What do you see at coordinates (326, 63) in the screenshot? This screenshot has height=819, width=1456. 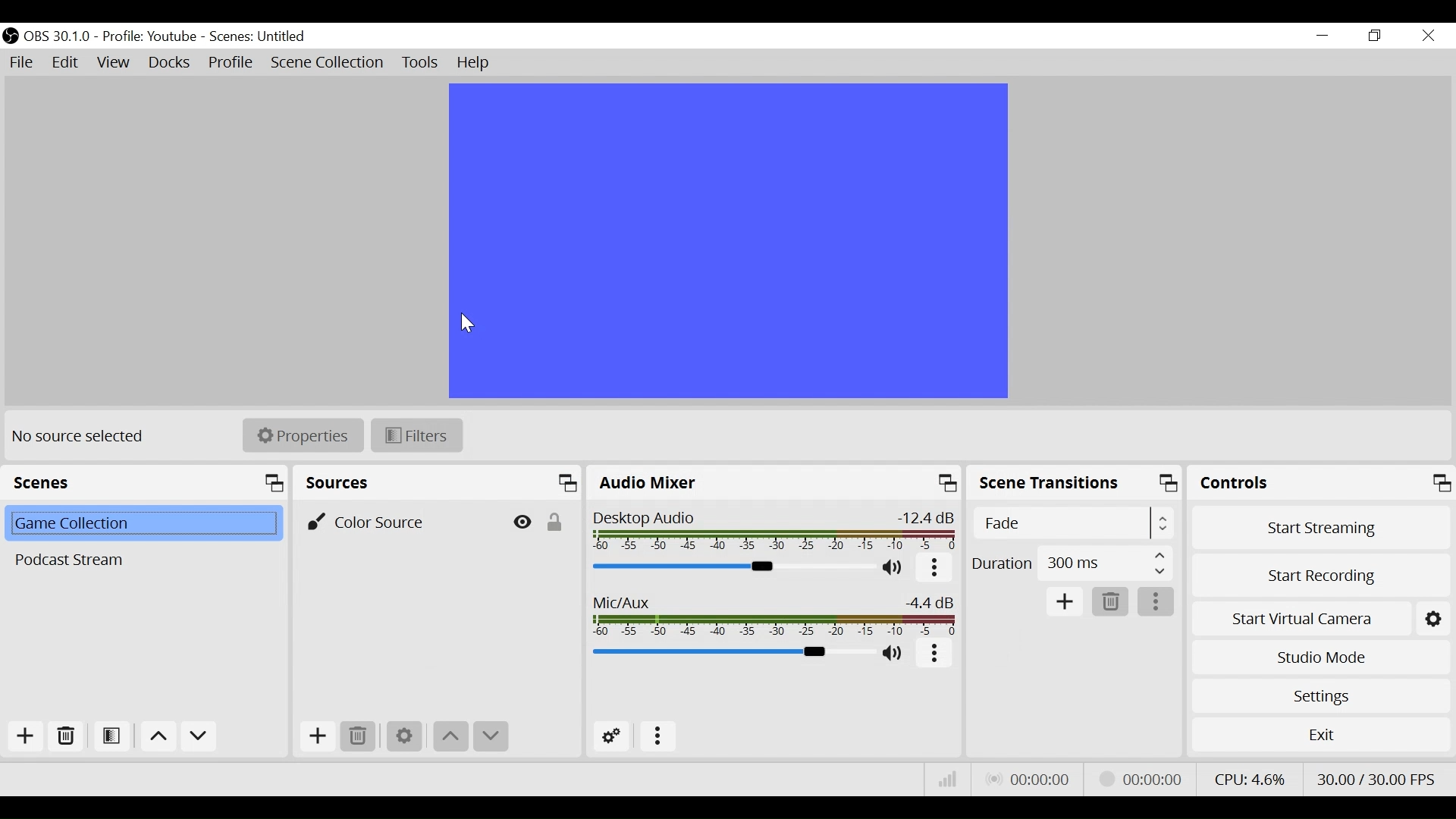 I see `Scene Collection` at bounding box center [326, 63].